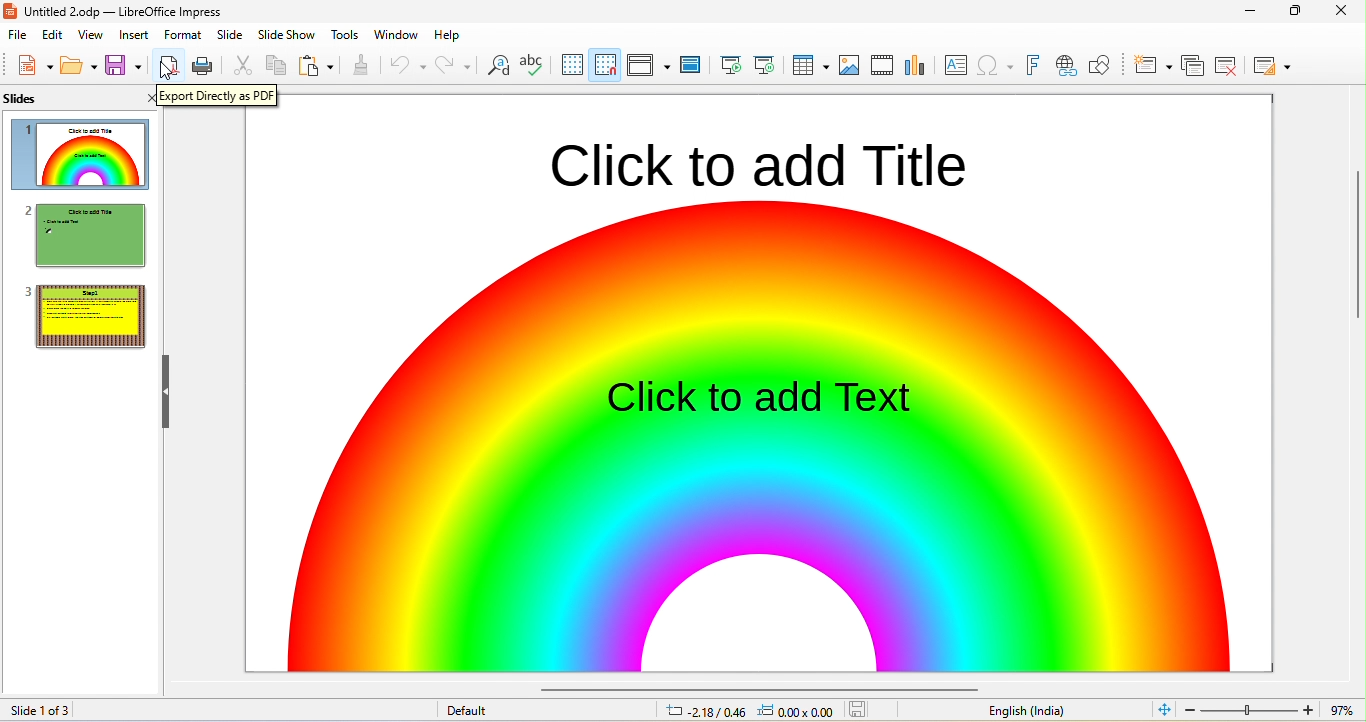 This screenshot has width=1366, height=722. What do you see at coordinates (162, 391) in the screenshot?
I see `hide` at bounding box center [162, 391].